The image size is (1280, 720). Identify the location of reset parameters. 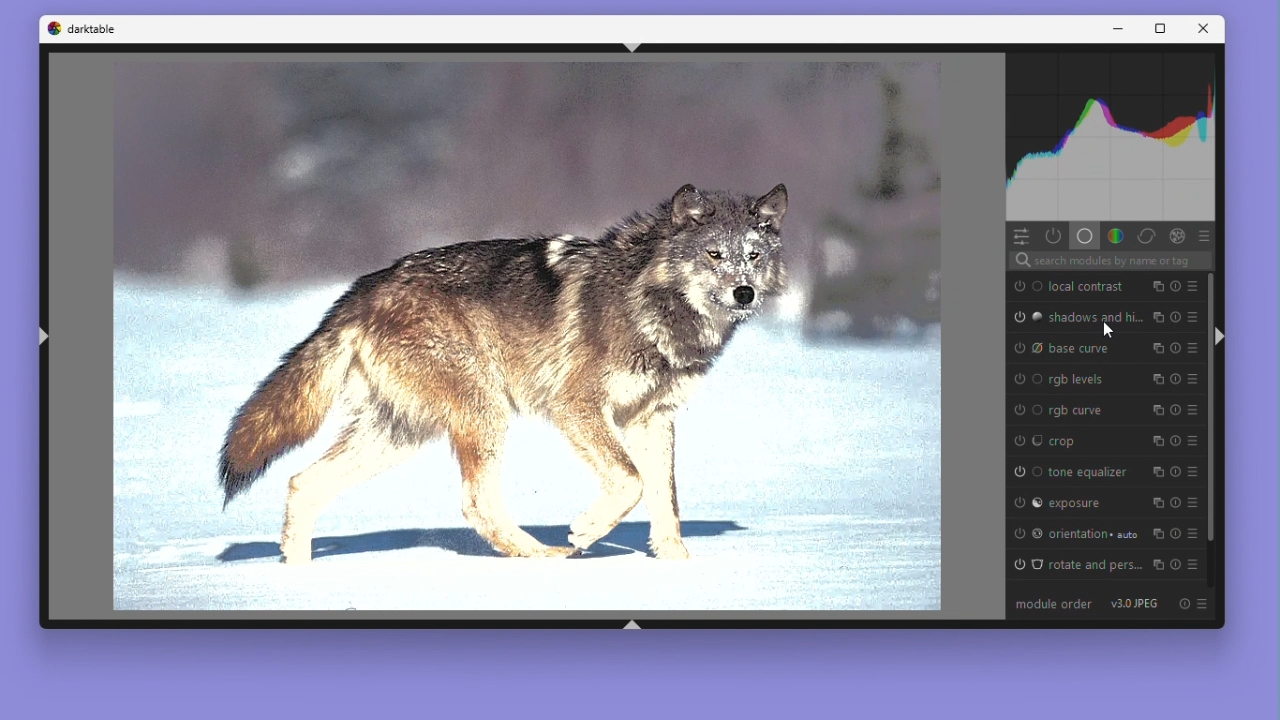
(1175, 502).